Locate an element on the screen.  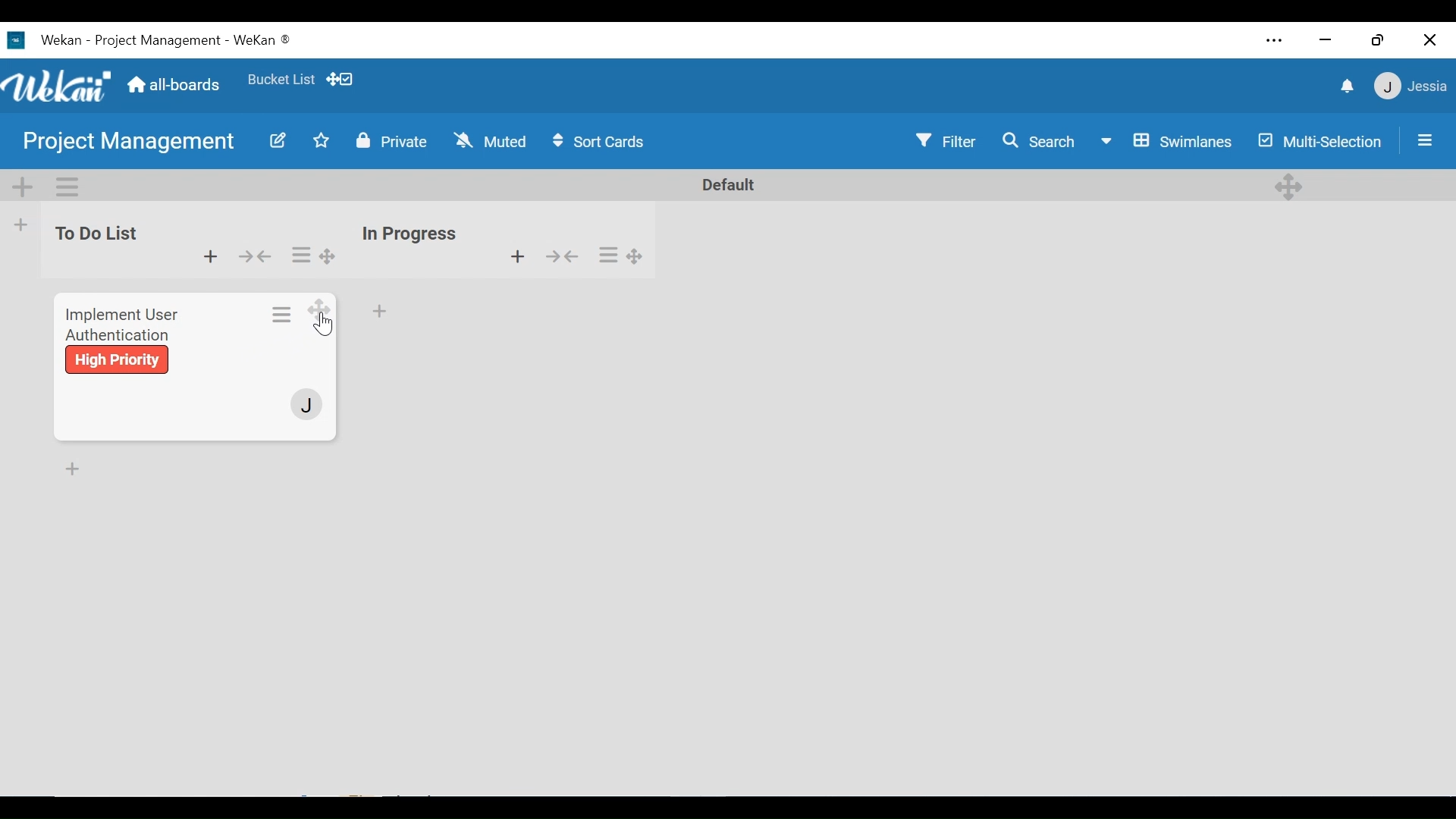
add card to the bottom of the list is located at coordinates (381, 311).